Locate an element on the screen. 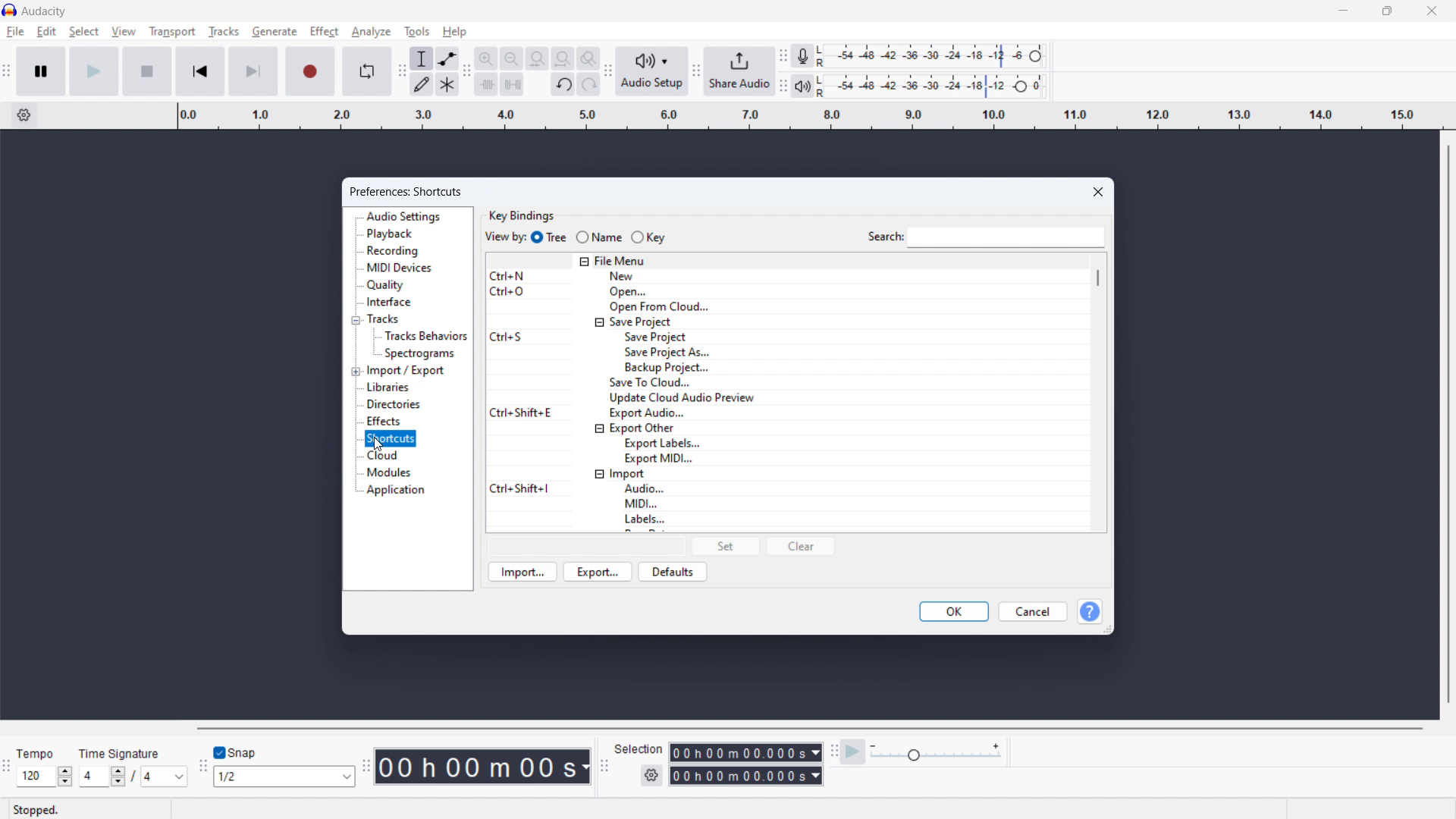 Image resolution: width=1456 pixels, height=819 pixels. preferences: shortcuts is located at coordinates (406, 191).